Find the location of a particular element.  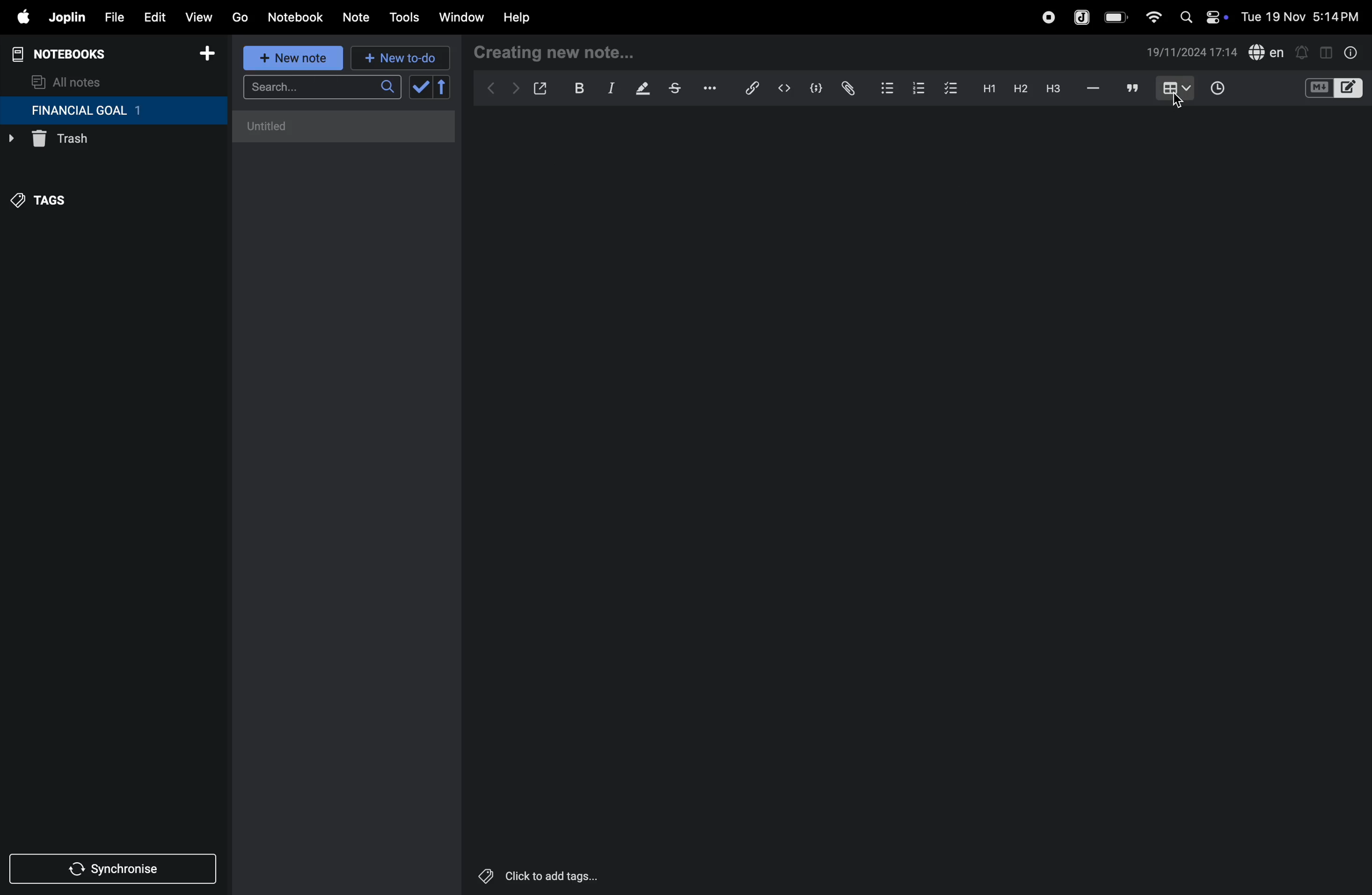

attach file is located at coordinates (847, 89).